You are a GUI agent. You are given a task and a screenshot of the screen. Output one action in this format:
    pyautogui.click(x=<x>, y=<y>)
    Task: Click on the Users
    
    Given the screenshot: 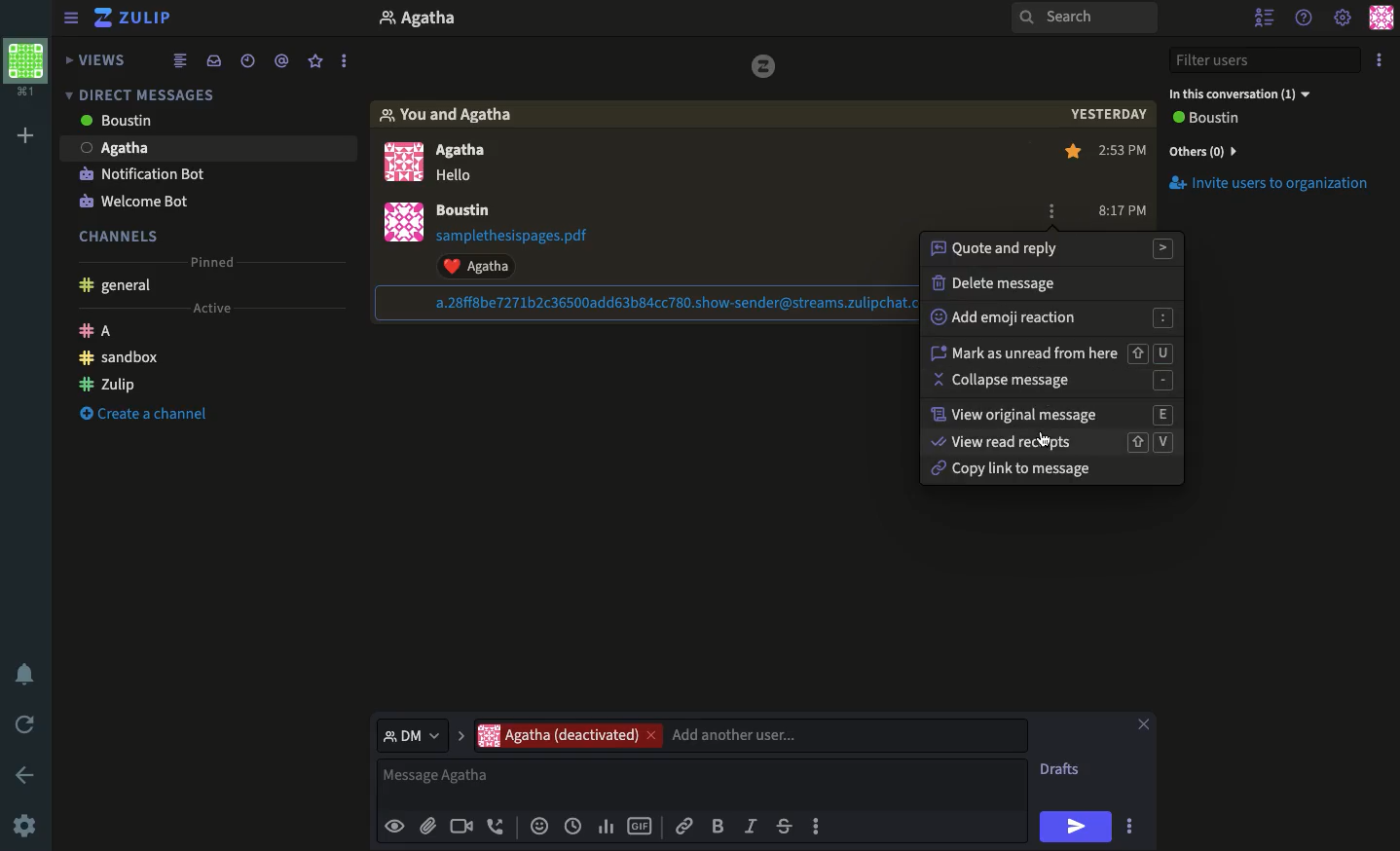 What is the action you would take?
    pyautogui.click(x=750, y=735)
    